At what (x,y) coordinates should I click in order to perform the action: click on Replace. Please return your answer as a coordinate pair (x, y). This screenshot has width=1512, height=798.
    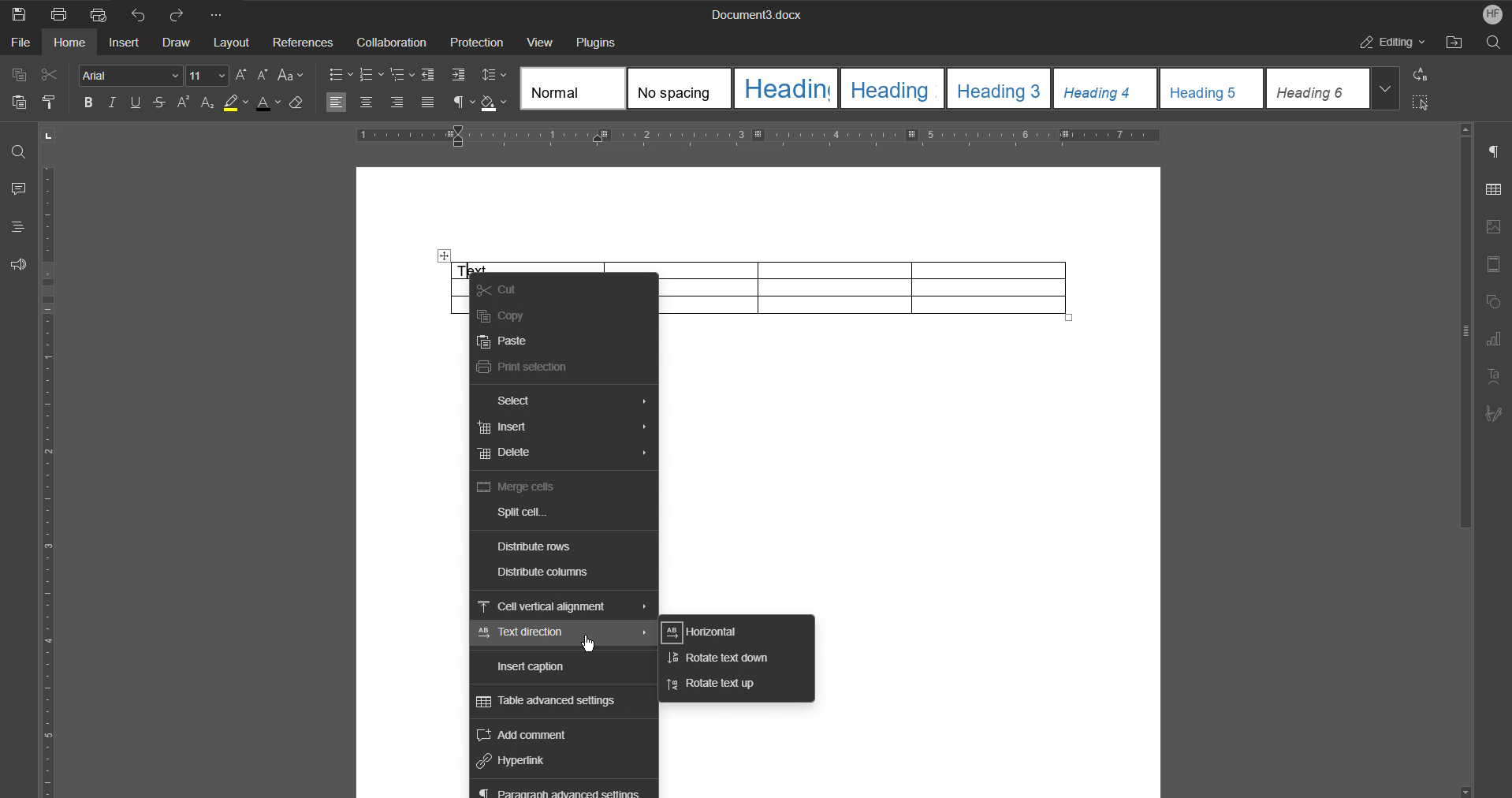
    Looking at the image, I should click on (1424, 76).